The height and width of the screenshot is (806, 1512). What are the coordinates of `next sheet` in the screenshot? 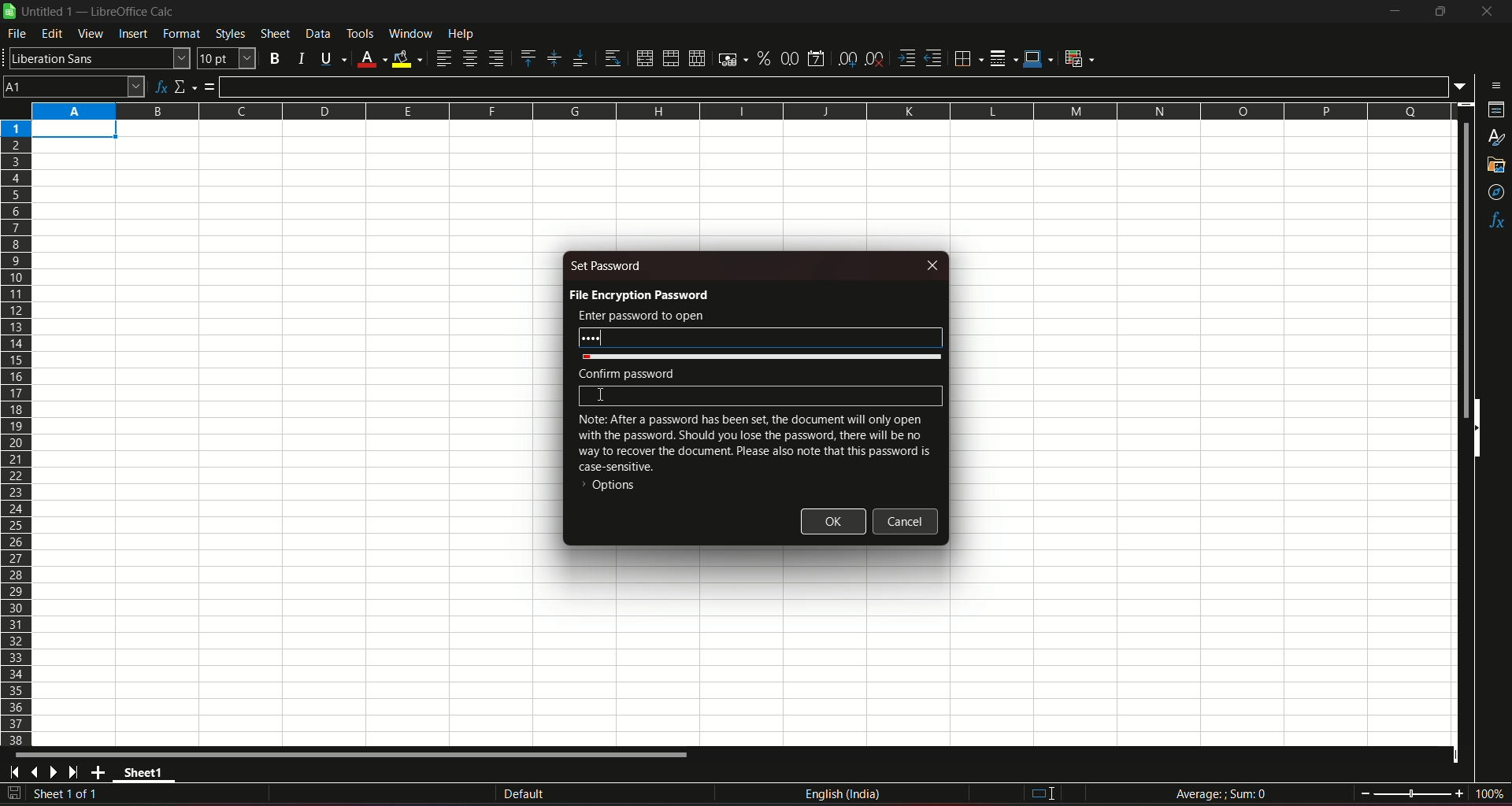 It's located at (57, 773).